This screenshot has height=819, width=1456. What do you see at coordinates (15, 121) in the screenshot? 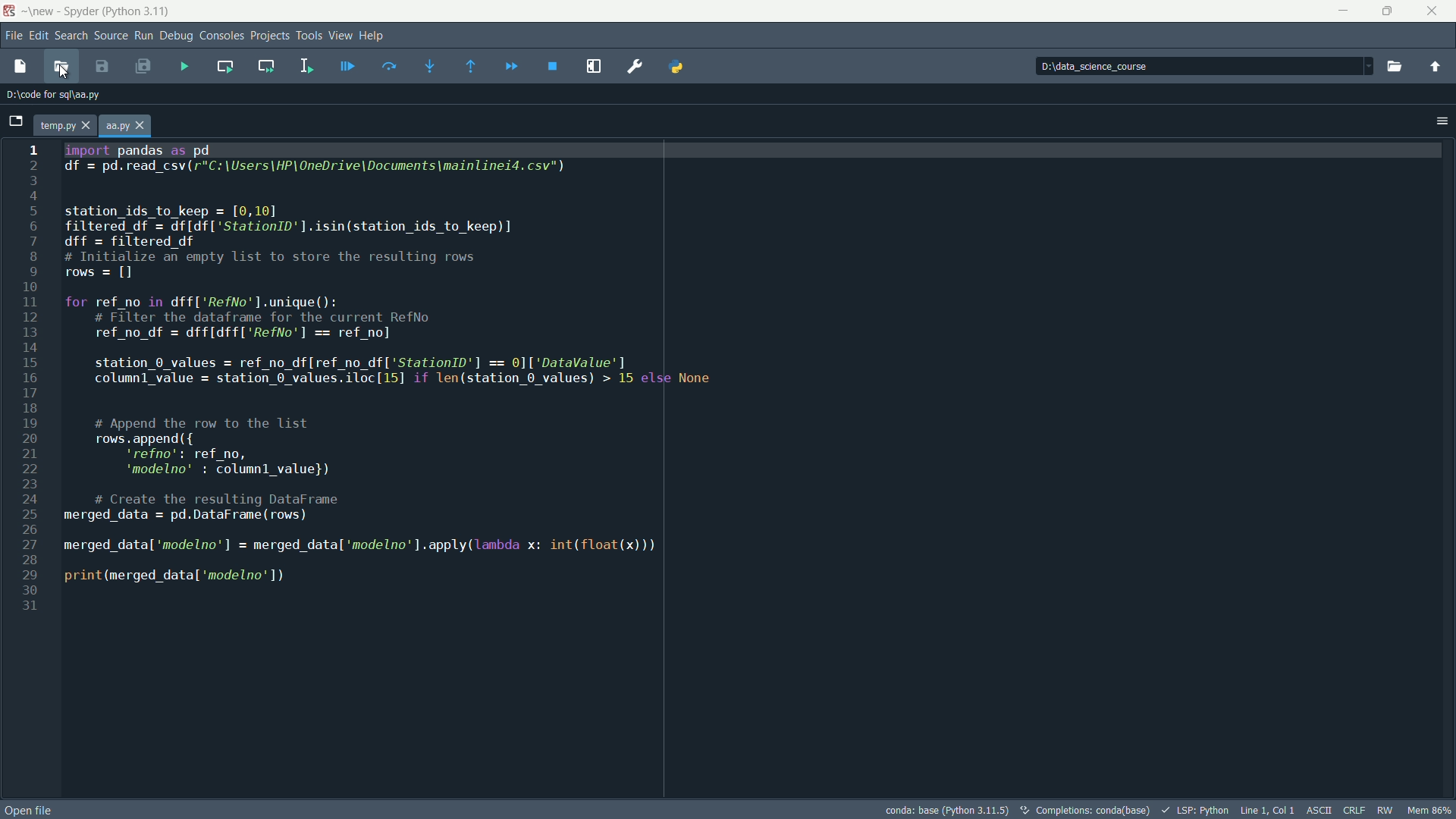
I see `browse tab` at bounding box center [15, 121].